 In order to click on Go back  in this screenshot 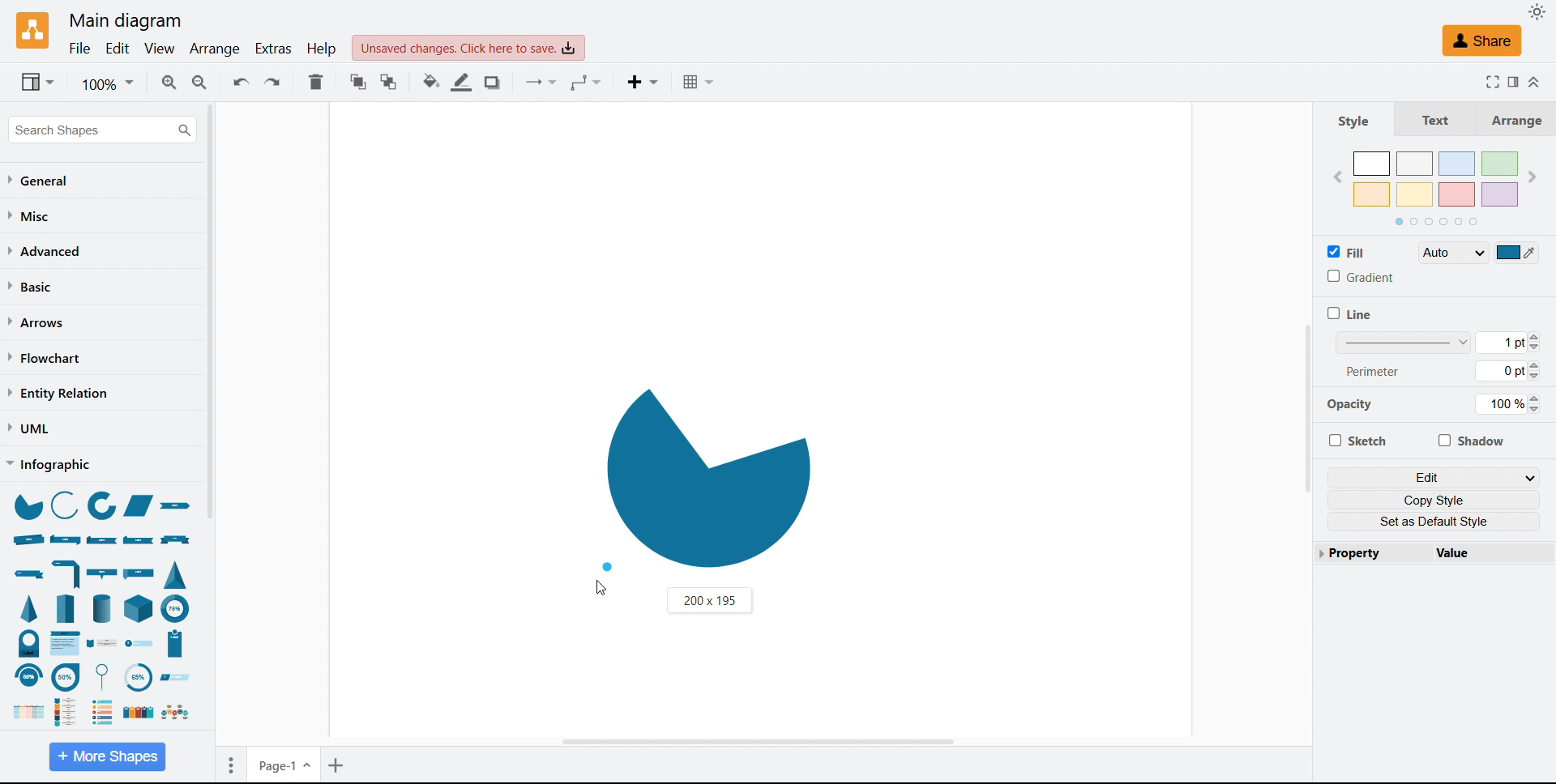, I will do `click(1337, 178)`.